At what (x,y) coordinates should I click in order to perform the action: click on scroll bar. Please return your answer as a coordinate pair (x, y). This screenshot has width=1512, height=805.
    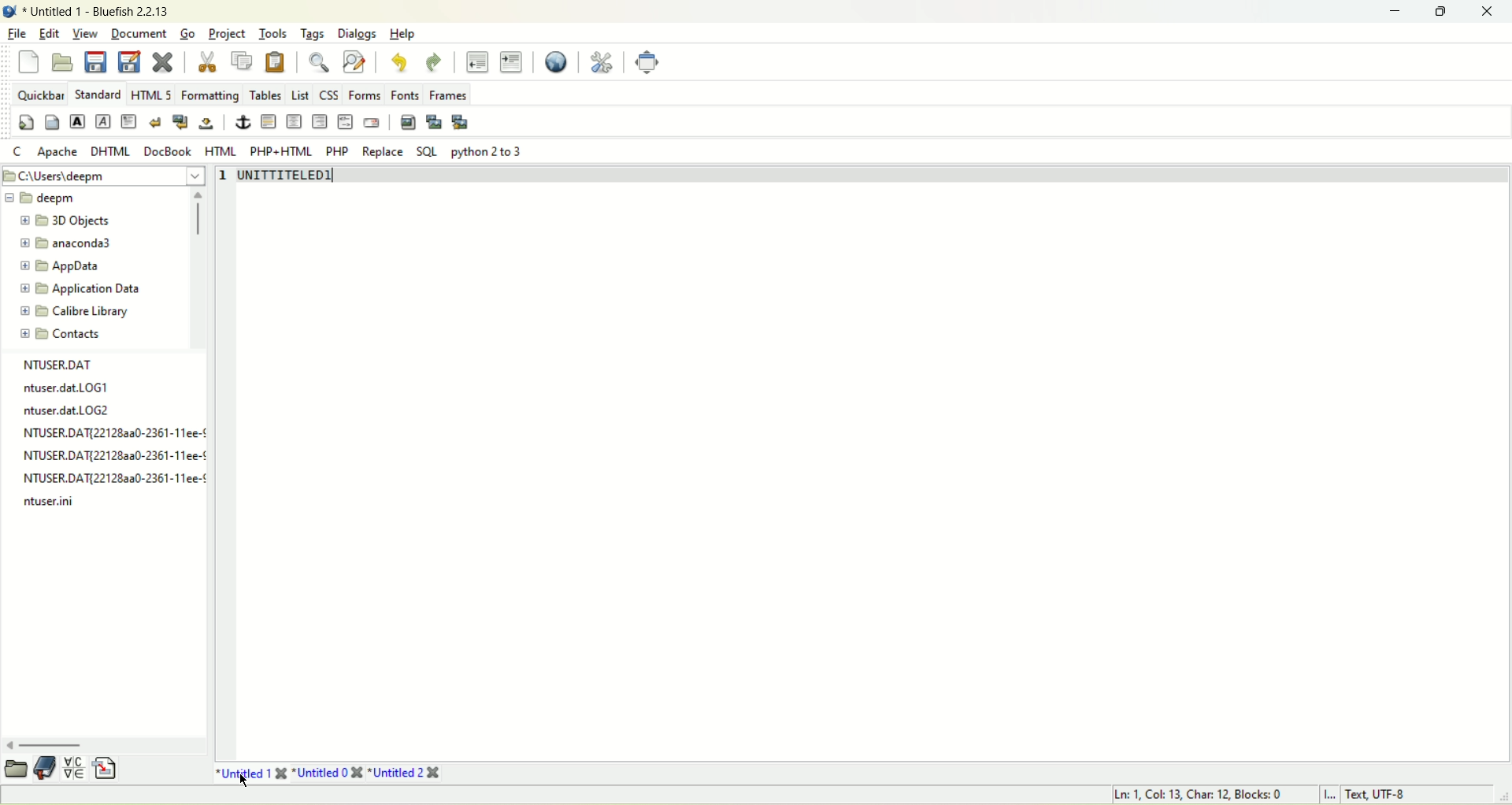
    Looking at the image, I should click on (198, 214).